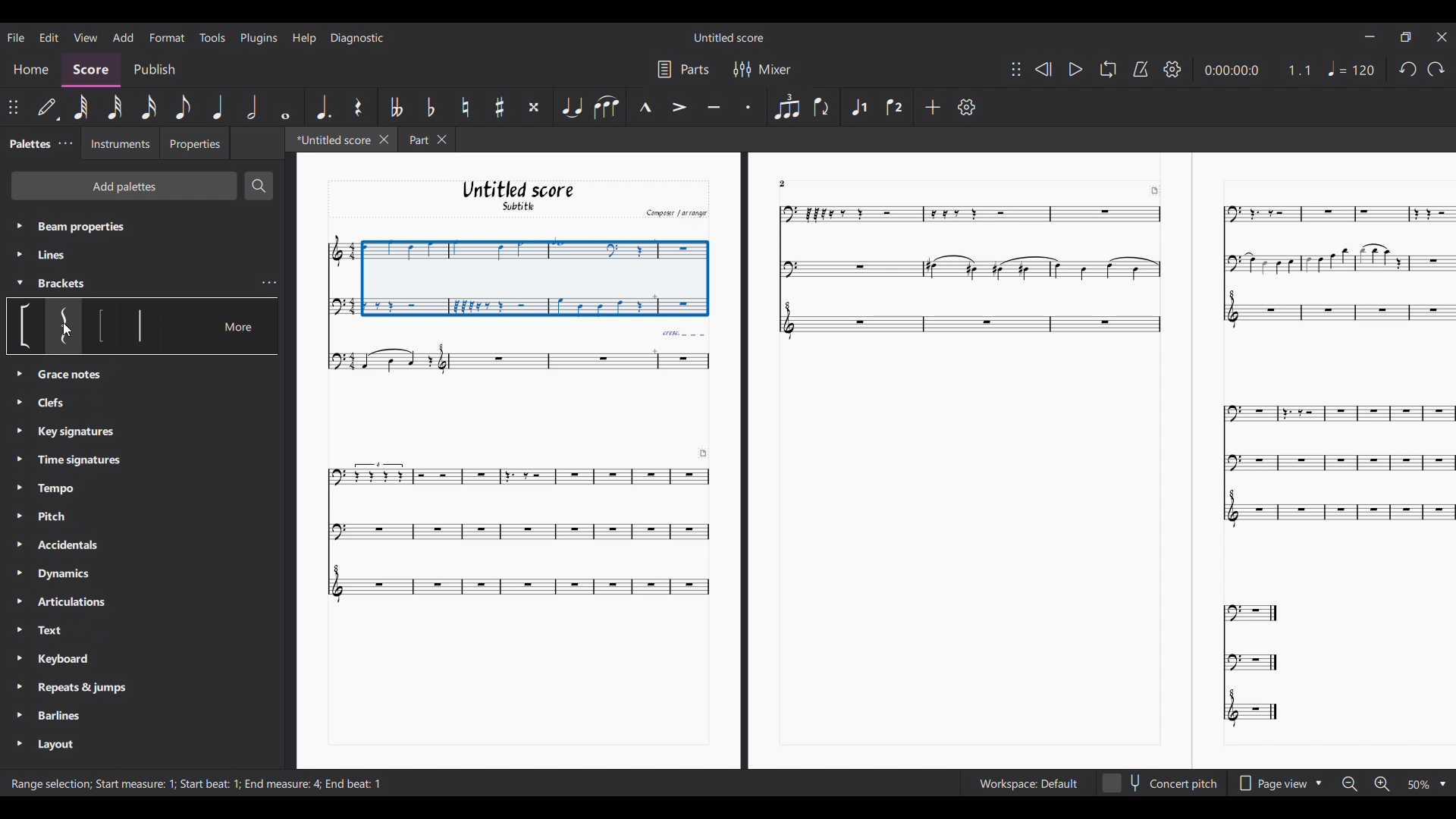 The image size is (1456, 819). I want to click on Change position, so click(1015, 68).